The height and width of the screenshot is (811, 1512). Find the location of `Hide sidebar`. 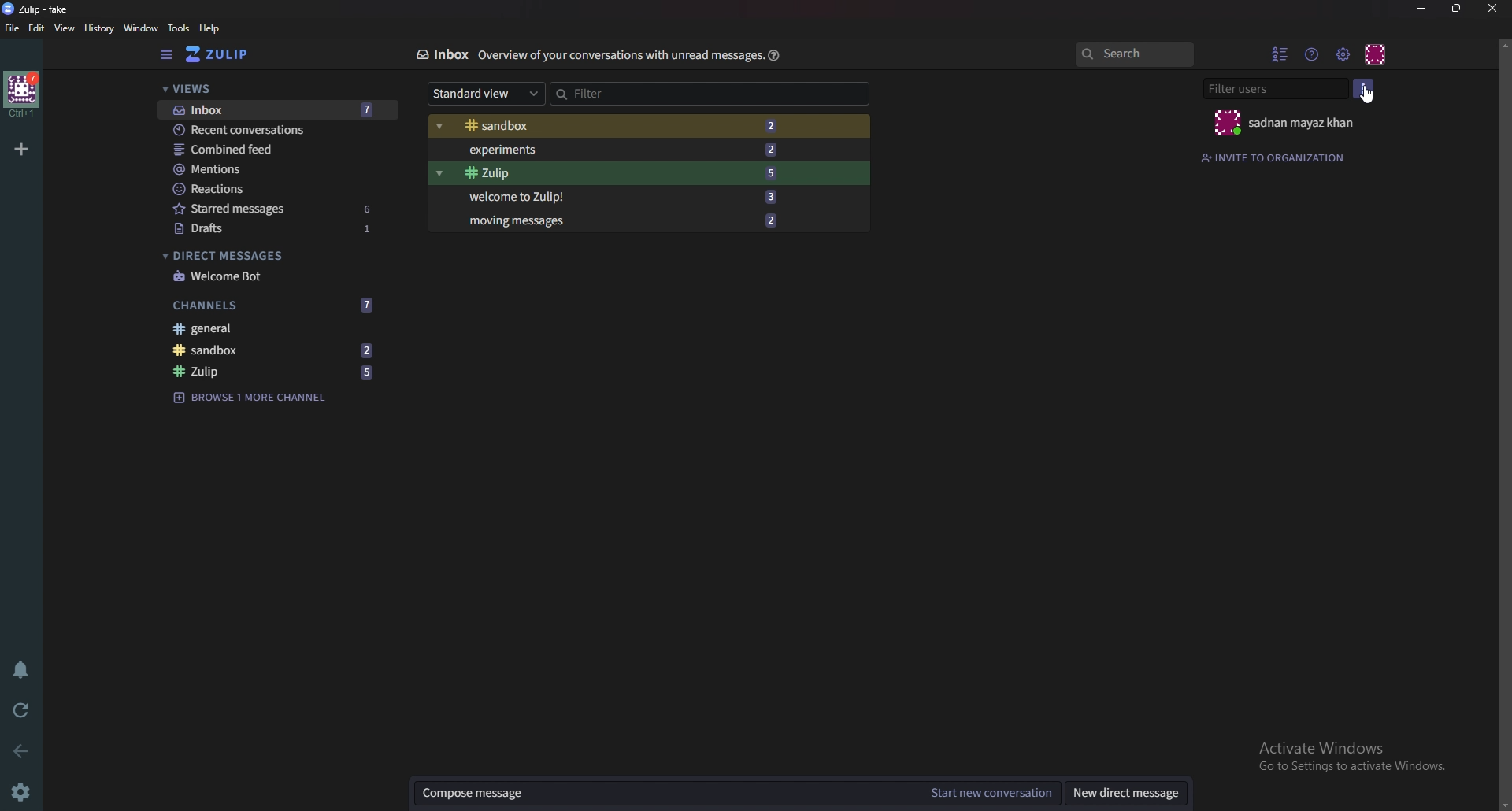

Hide sidebar is located at coordinates (169, 55).